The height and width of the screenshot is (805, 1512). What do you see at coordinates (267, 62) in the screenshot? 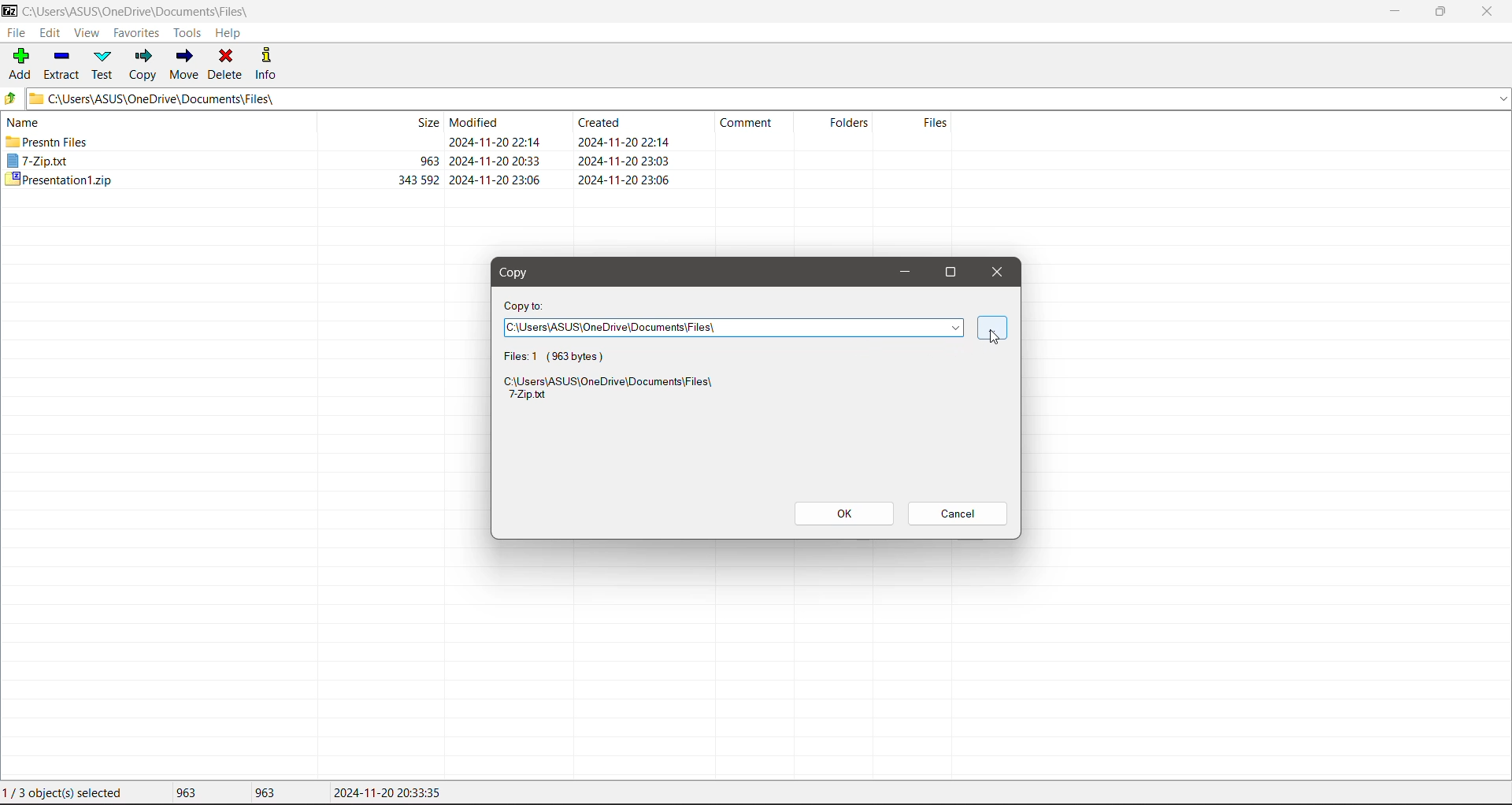
I see `Info` at bounding box center [267, 62].